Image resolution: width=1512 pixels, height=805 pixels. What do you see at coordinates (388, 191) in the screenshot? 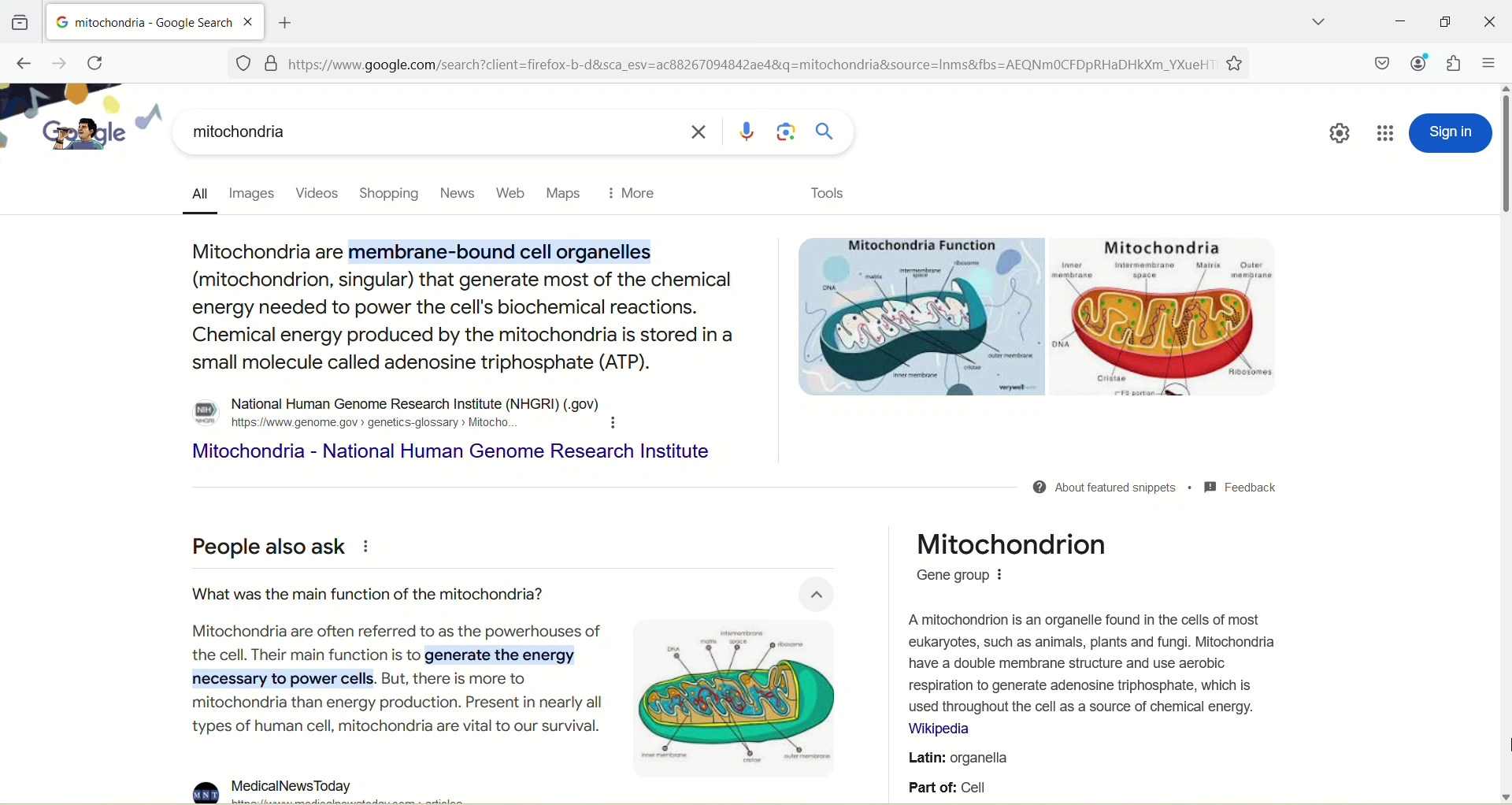
I see `shopping` at bounding box center [388, 191].